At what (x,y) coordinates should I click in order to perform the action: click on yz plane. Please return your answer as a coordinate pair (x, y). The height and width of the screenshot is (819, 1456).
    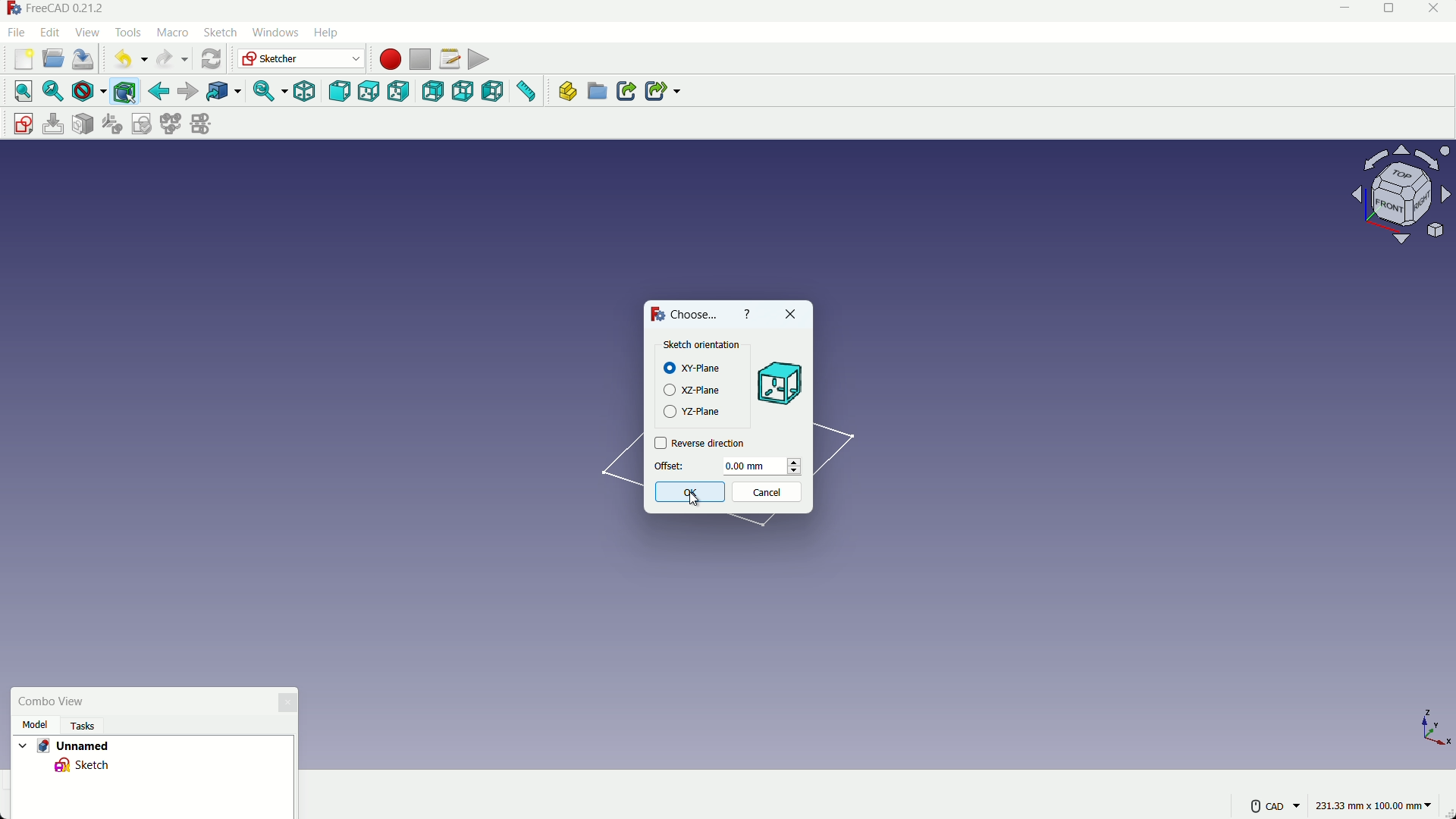
    Looking at the image, I should click on (691, 411).